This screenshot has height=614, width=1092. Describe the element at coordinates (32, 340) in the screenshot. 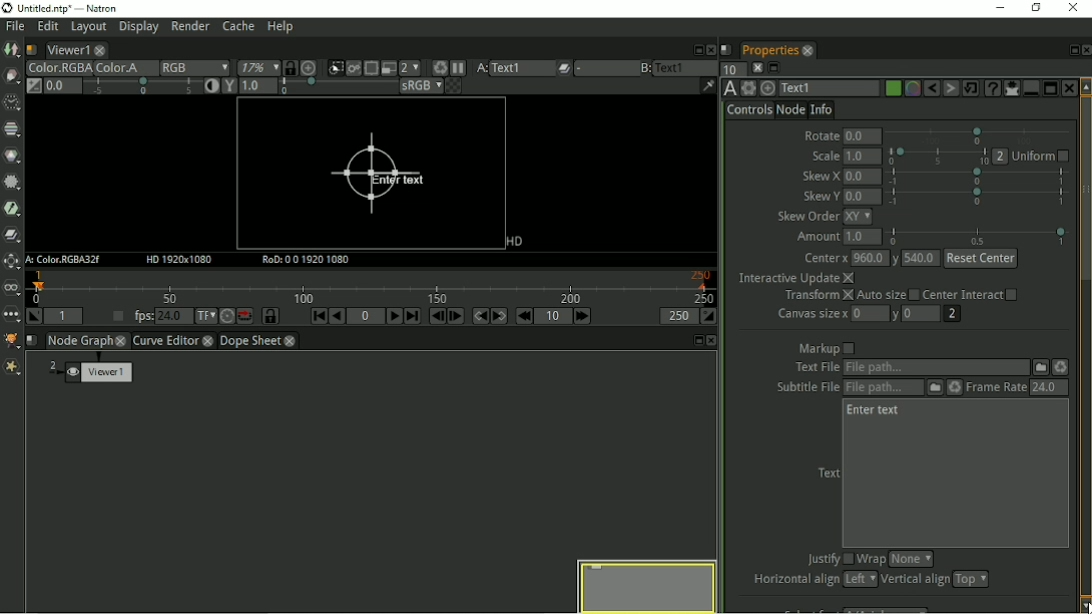

I see `Script name` at that location.